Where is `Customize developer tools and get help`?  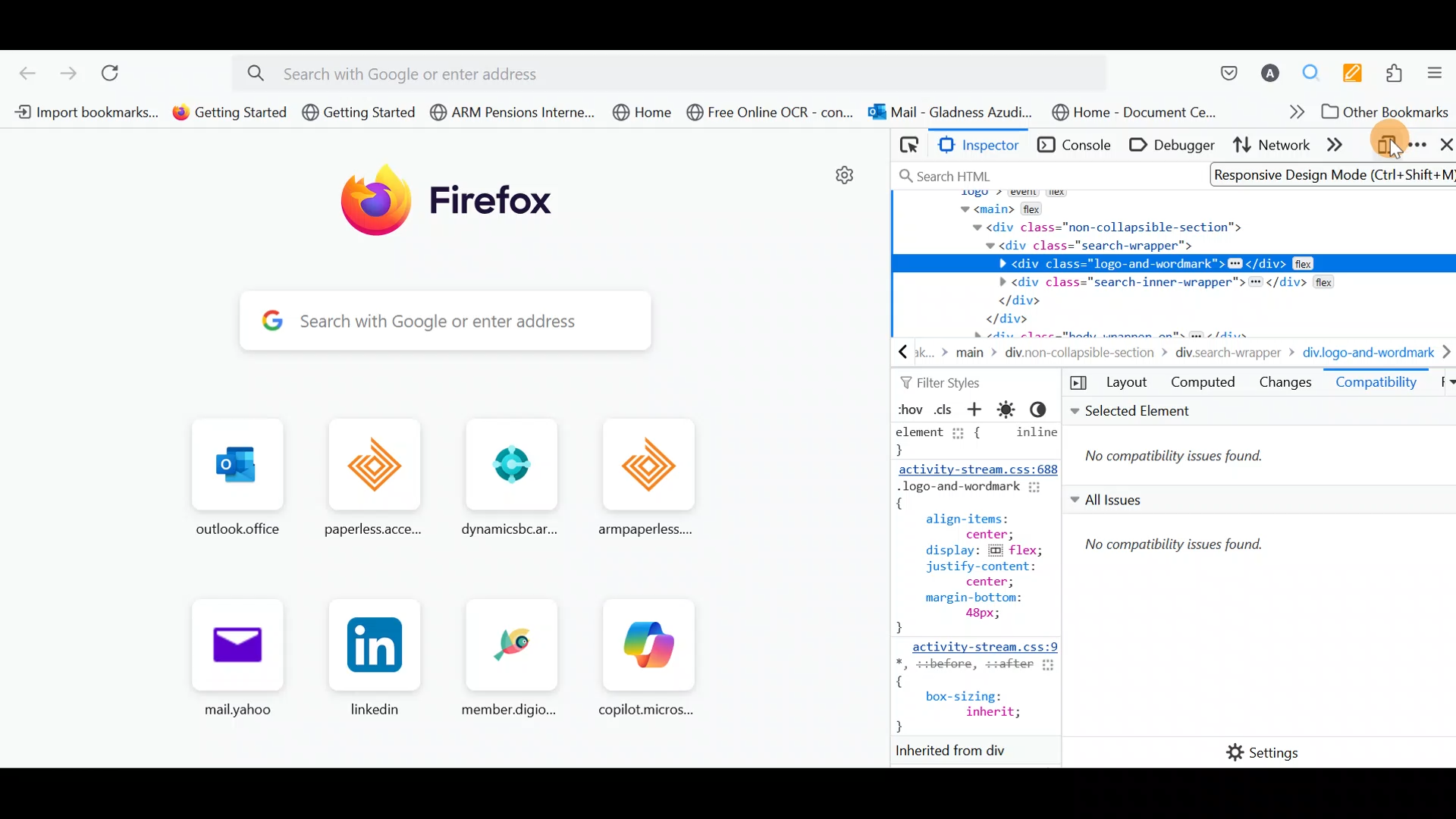
Customize developer tools and get help is located at coordinates (1417, 145).